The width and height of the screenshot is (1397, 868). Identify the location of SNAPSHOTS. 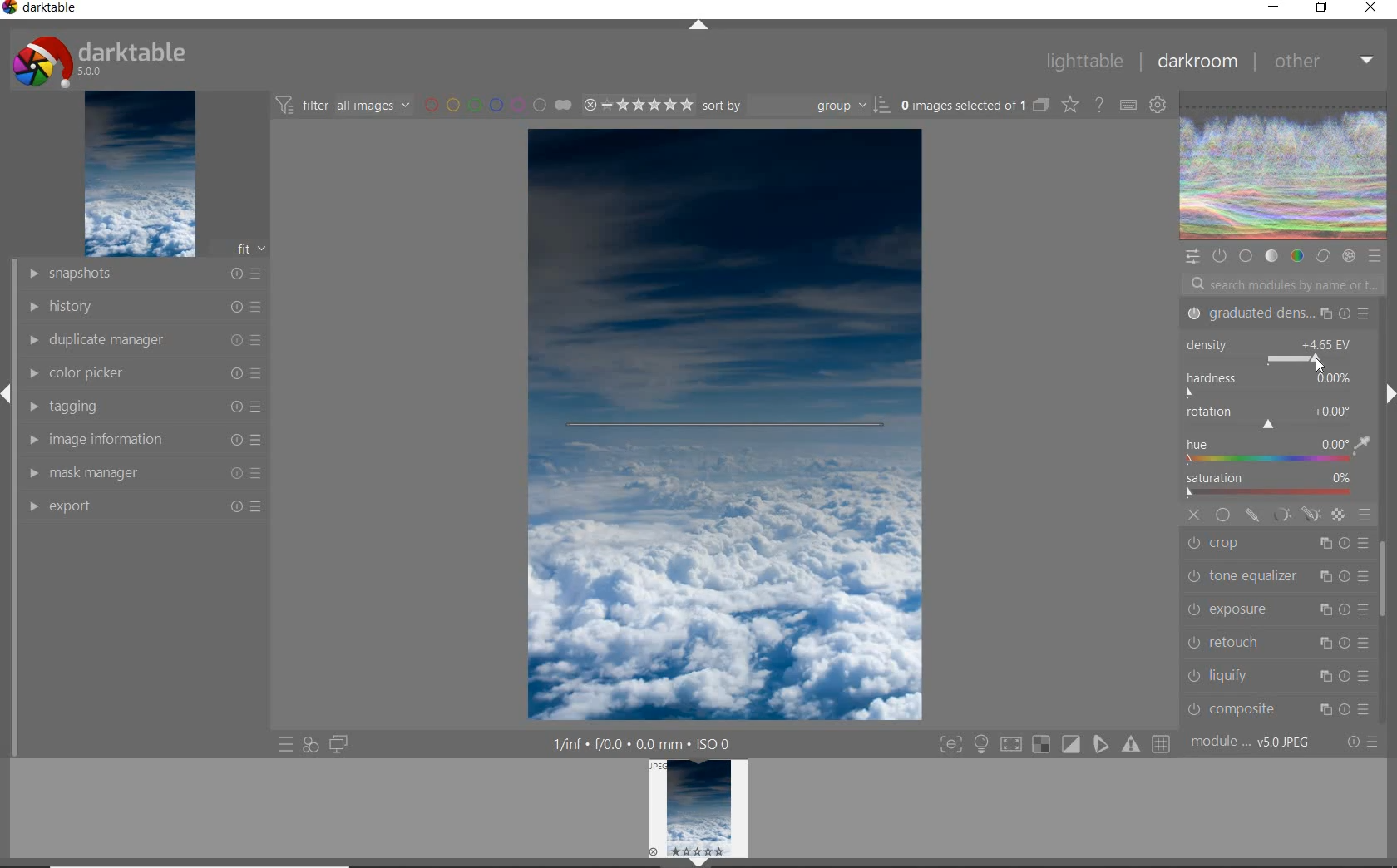
(146, 274).